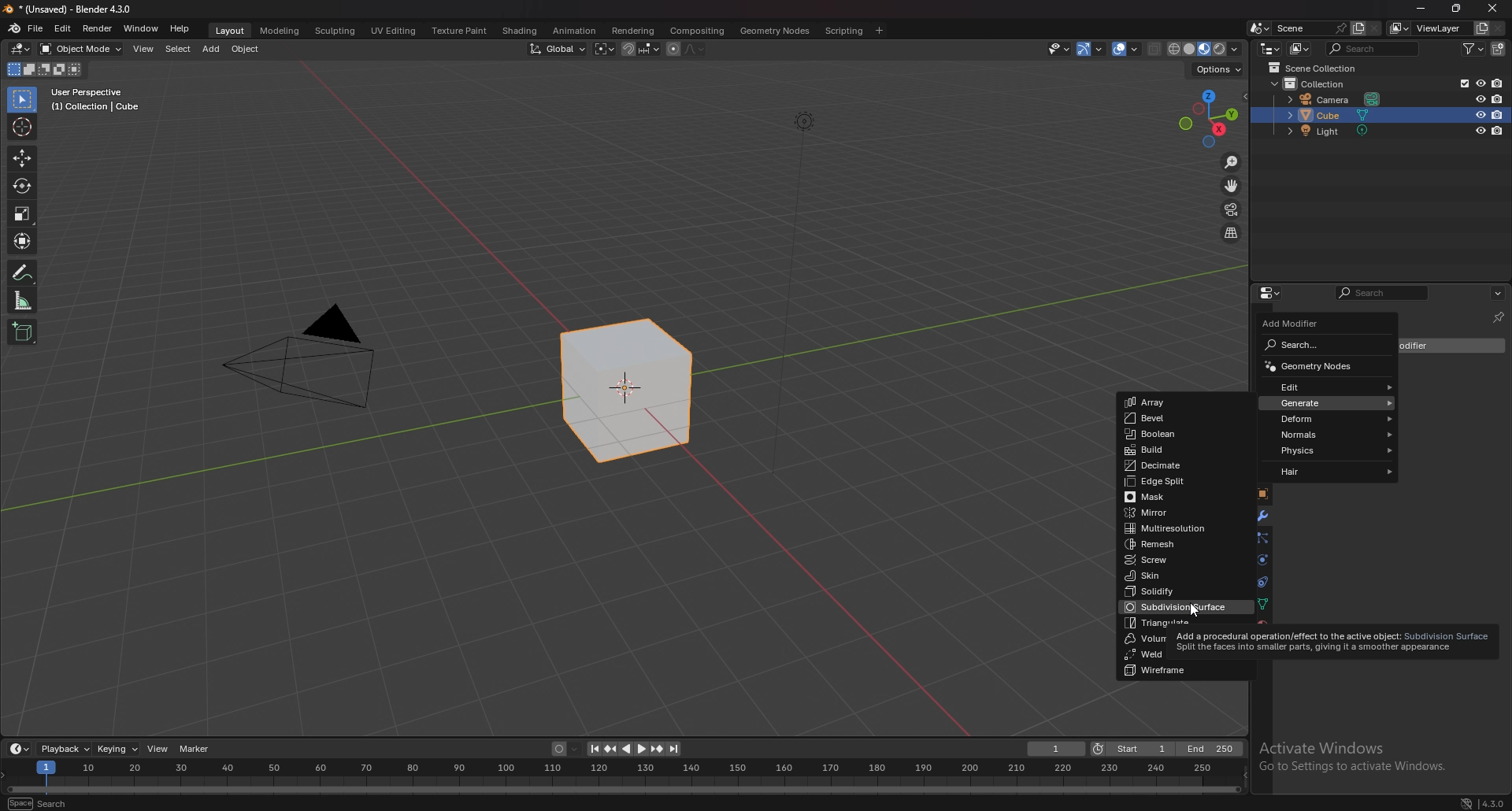 The height and width of the screenshot is (811, 1512). What do you see at coordinates (1180, 590) in the screenshot?
I see `solidify` at bounding box center [1180, 590].